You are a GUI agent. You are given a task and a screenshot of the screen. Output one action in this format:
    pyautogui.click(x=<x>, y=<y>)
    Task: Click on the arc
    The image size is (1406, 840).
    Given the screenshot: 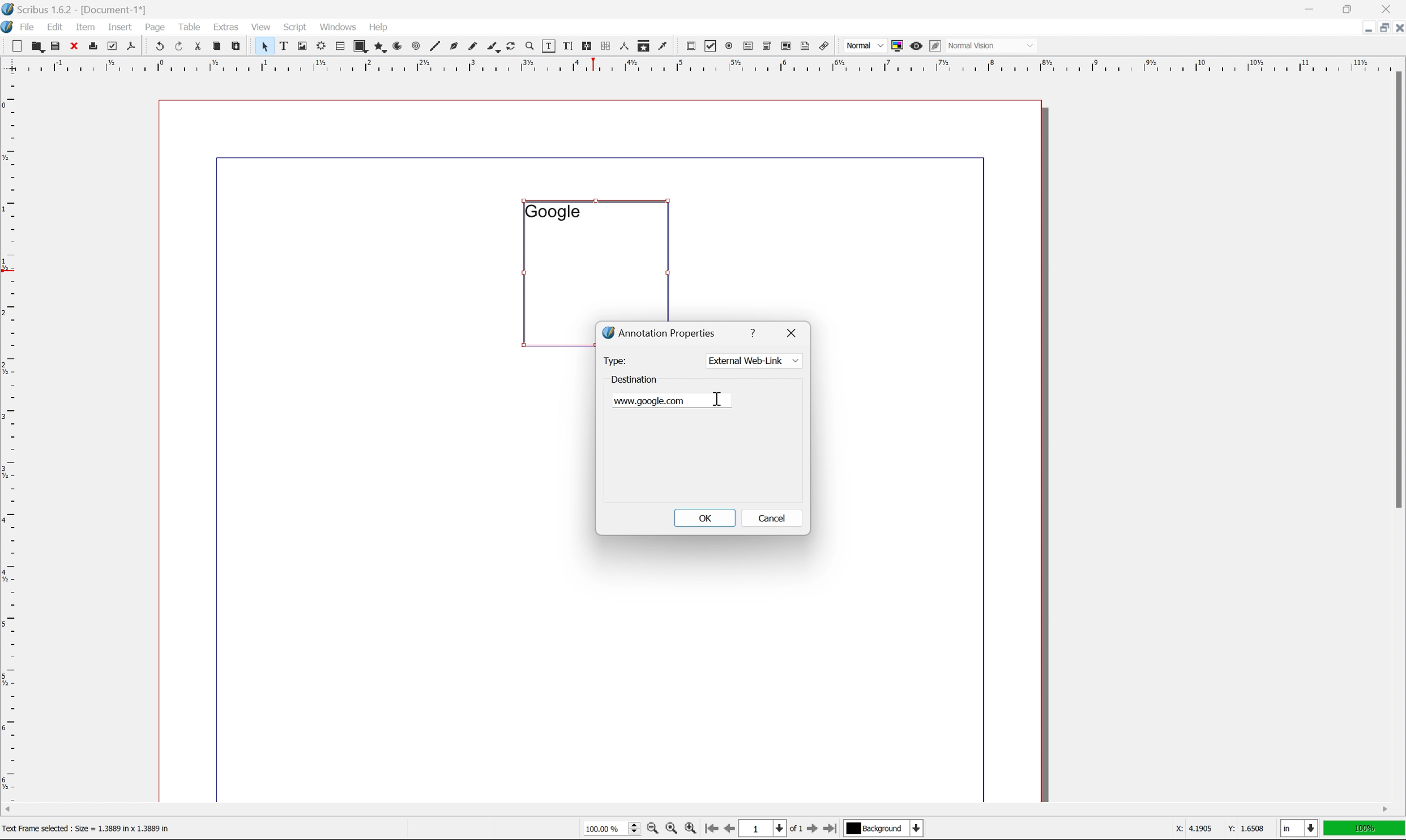 What is the action you would take?
    pyautogui.click(x=399, y=46)
    